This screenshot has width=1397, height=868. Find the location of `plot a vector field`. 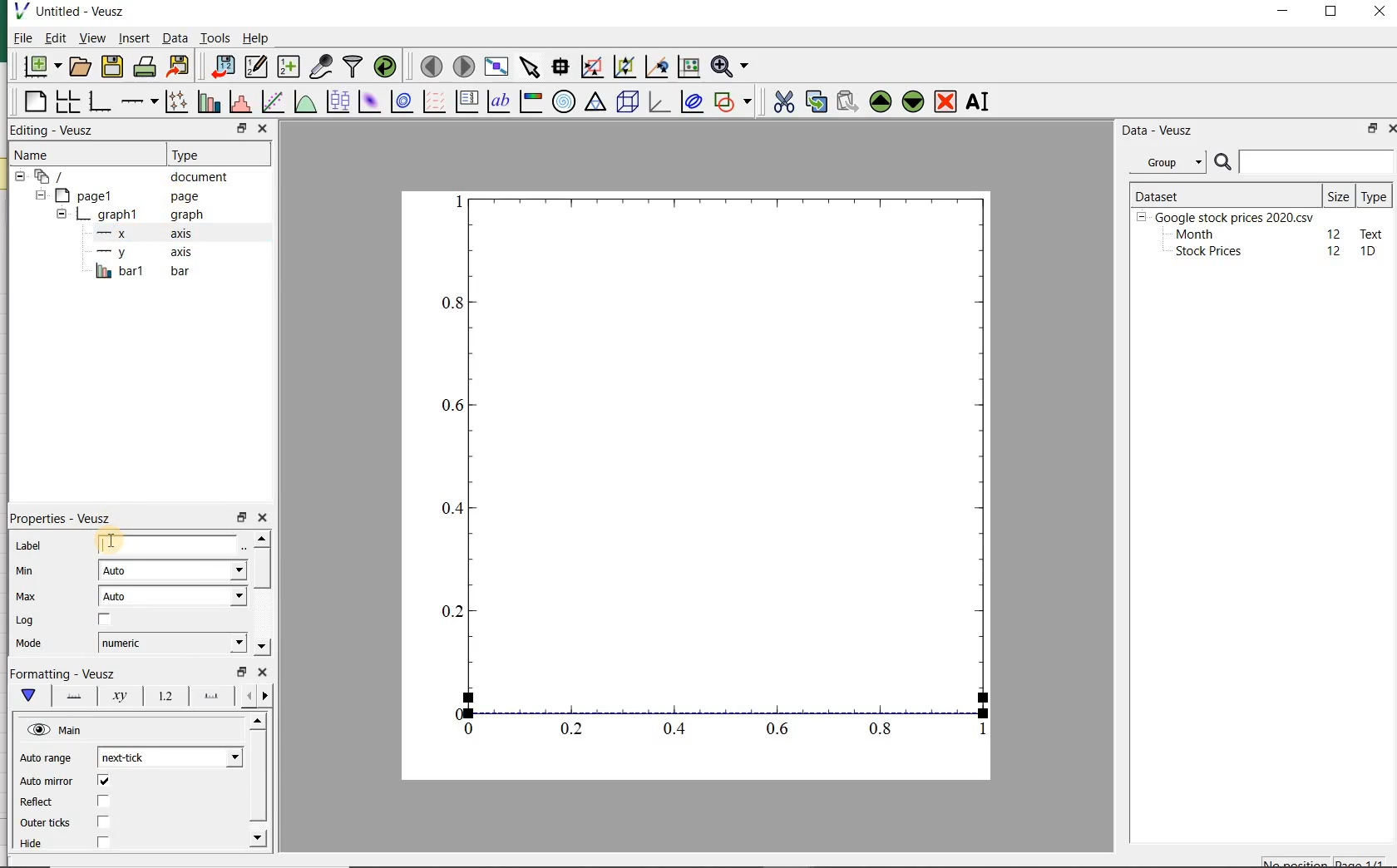

plot a vector field is located at coordinates (432, 103).